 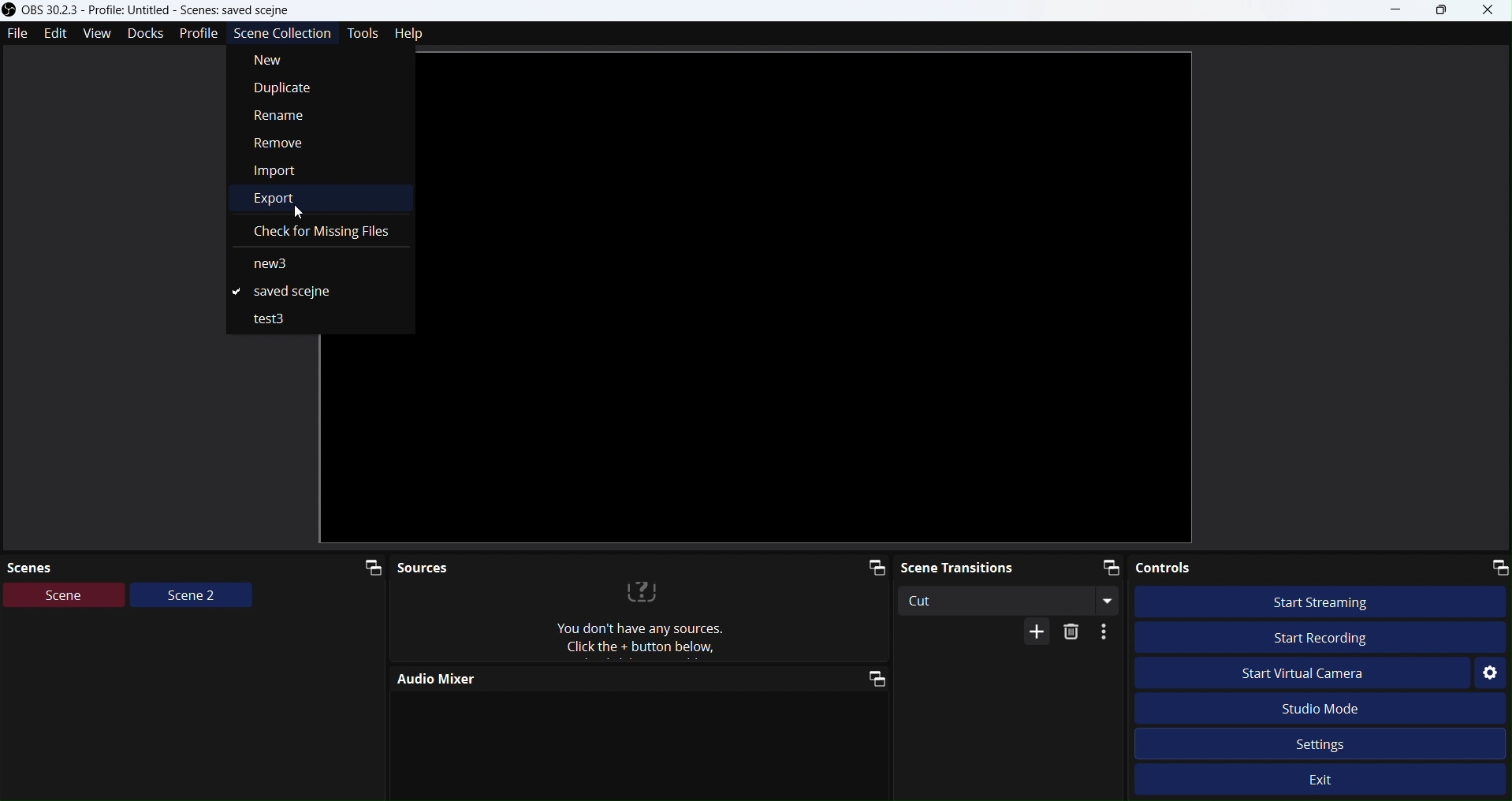 I want to click on View, so click(x=101, y=34).